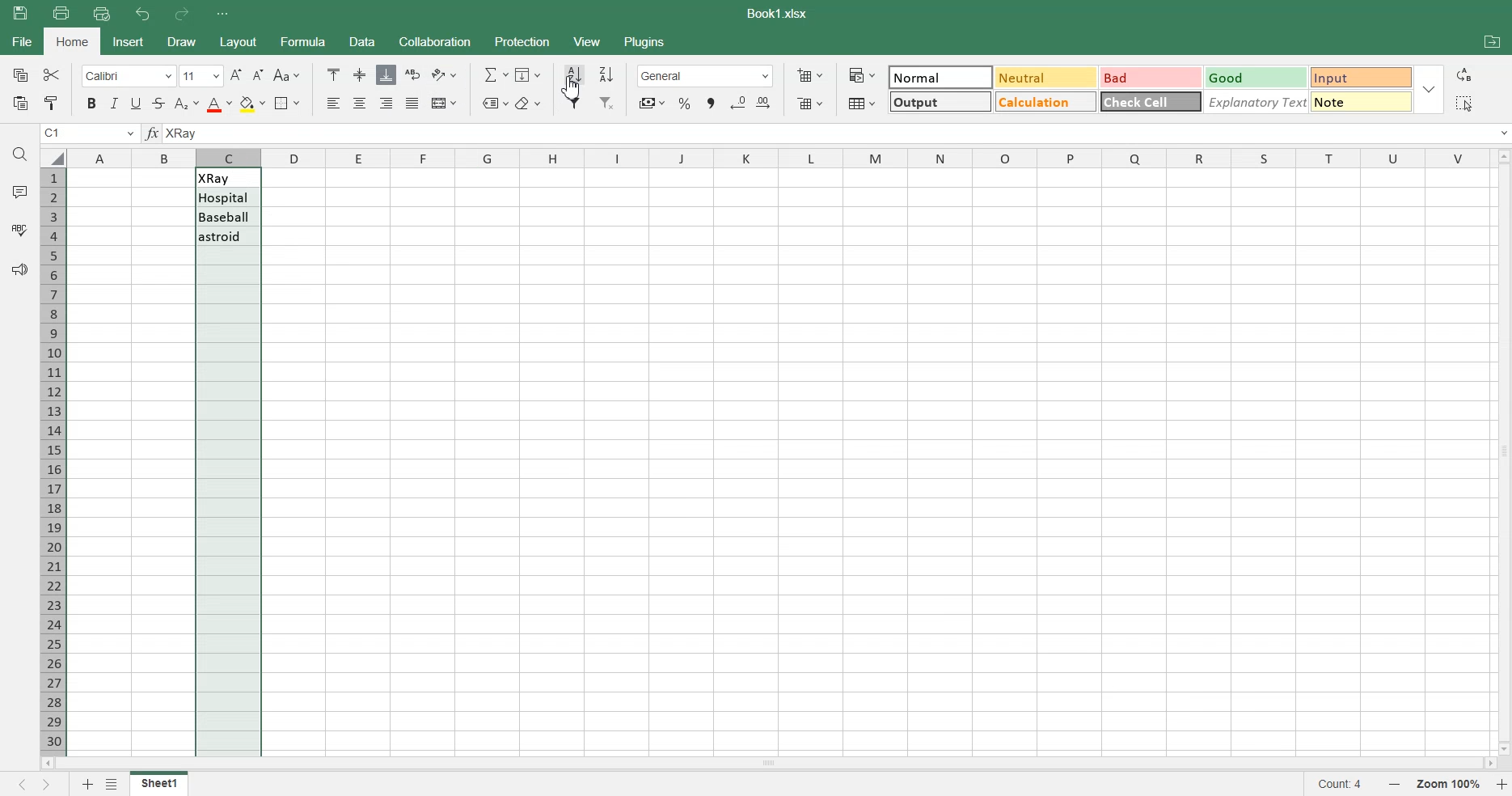 The width and height of the screenshot is (1512, 796). I want to click on Orientation, so click(444, 74).